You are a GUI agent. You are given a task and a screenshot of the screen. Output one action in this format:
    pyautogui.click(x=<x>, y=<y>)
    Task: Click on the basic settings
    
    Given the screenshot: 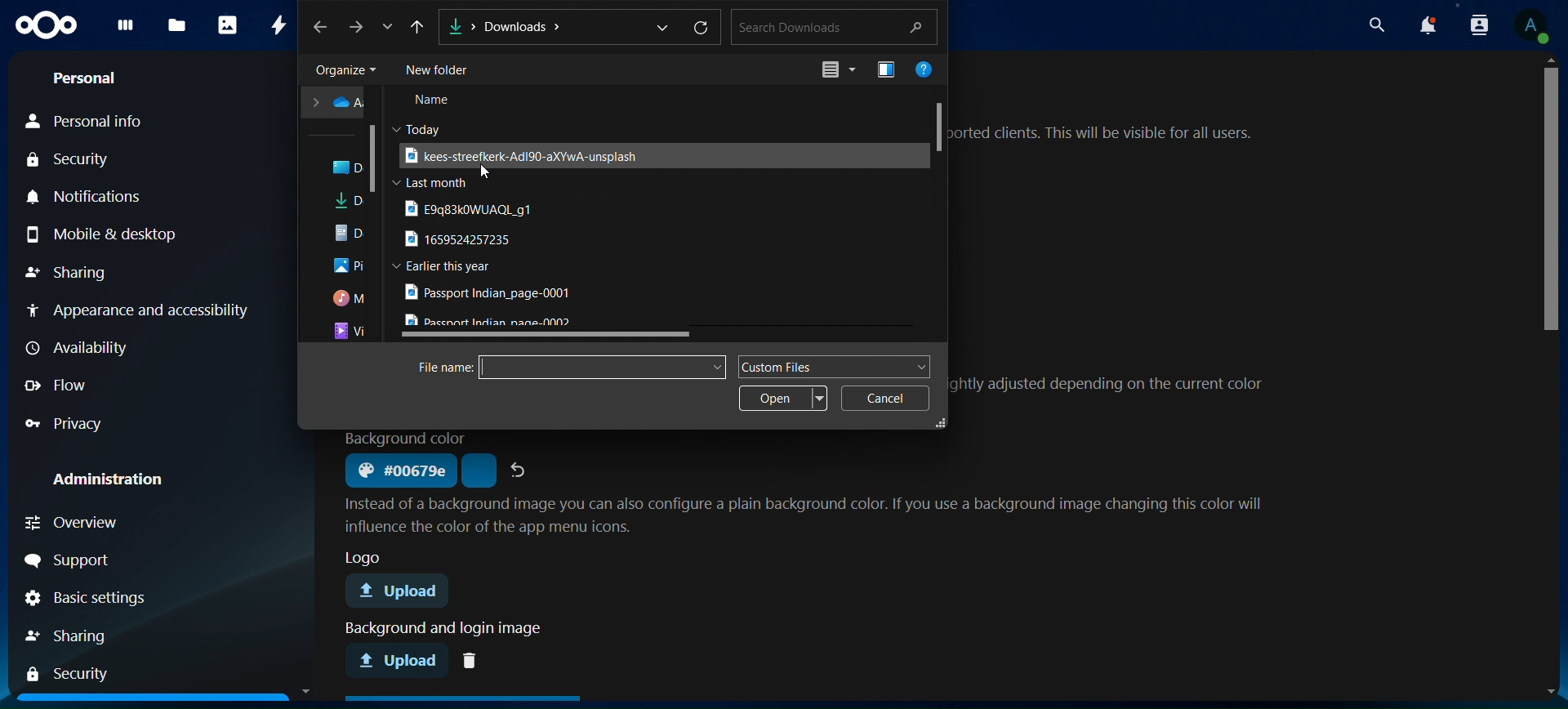 What is the action you would take?
    pyautogui.click(x=112, y=600)
    